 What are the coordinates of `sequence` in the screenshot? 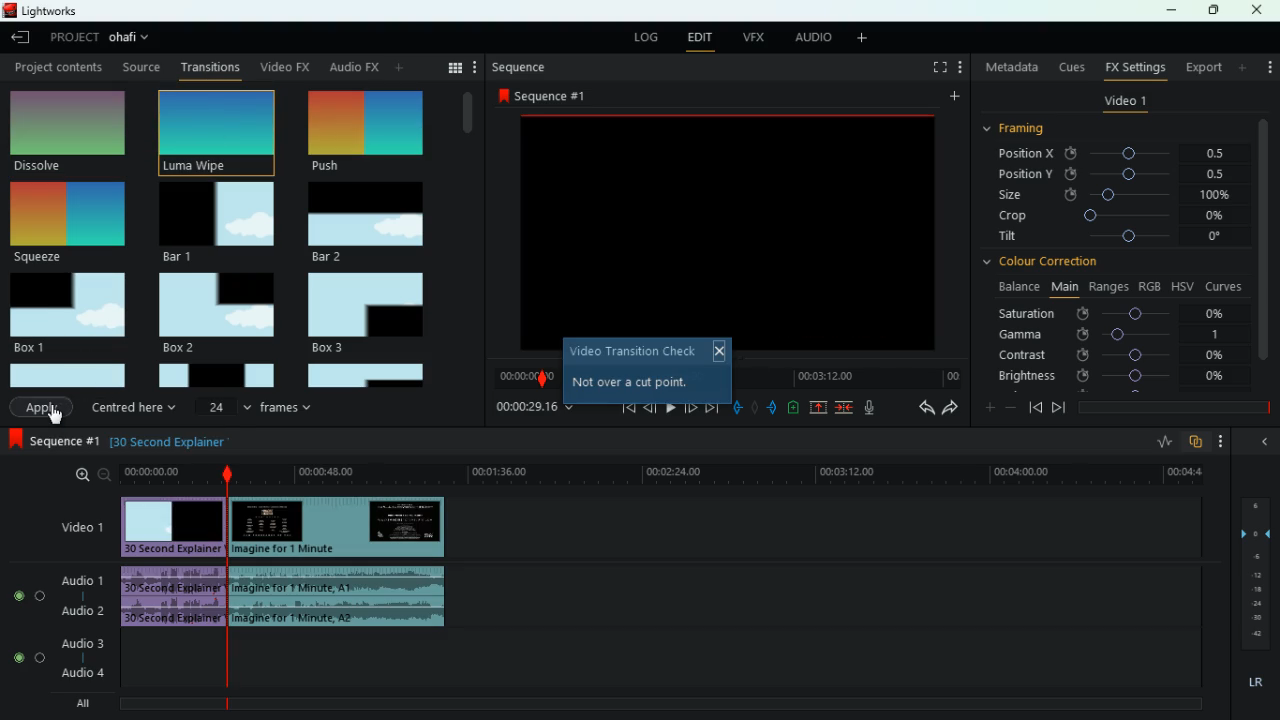 It's located at (521, 67).